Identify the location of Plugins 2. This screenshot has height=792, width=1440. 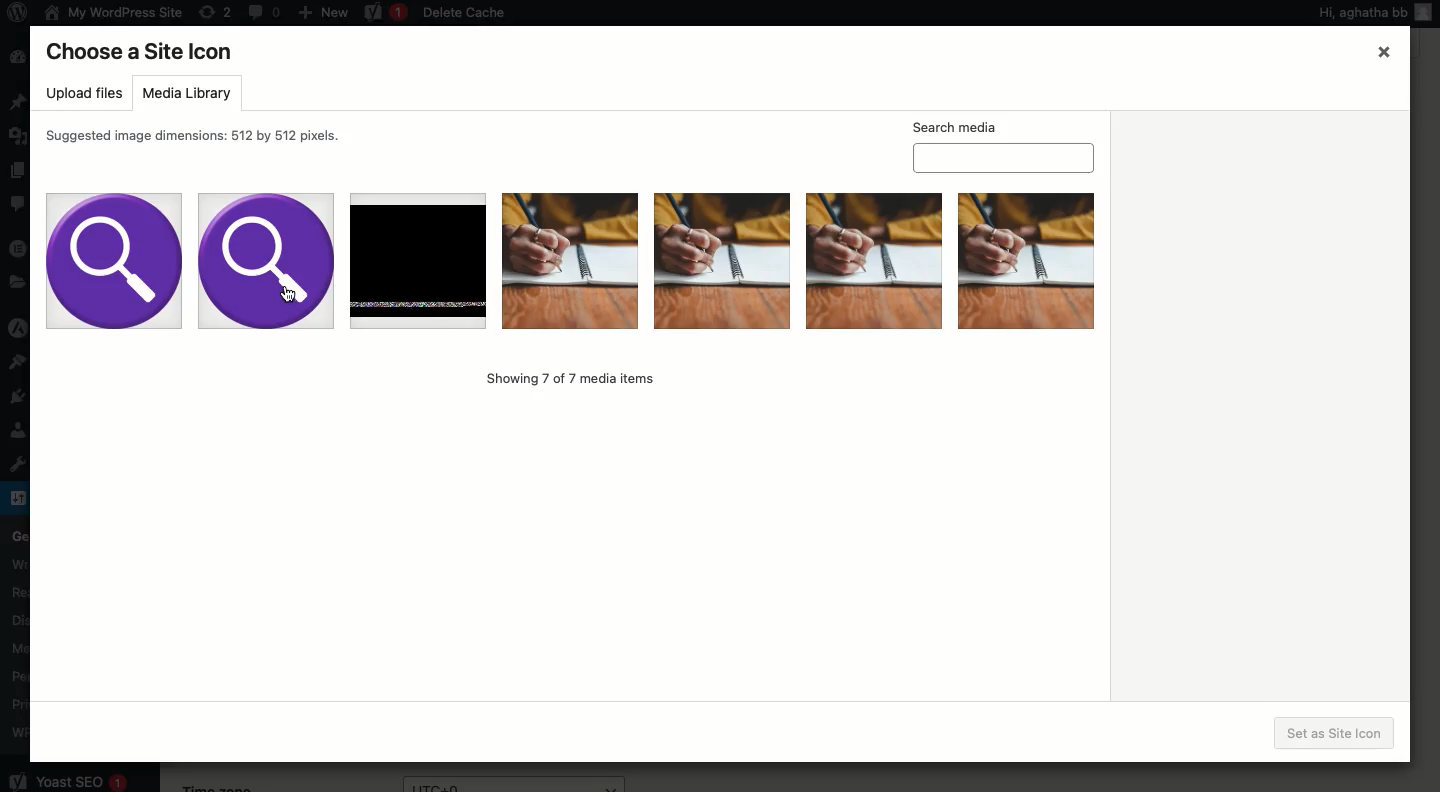
(25, 402).